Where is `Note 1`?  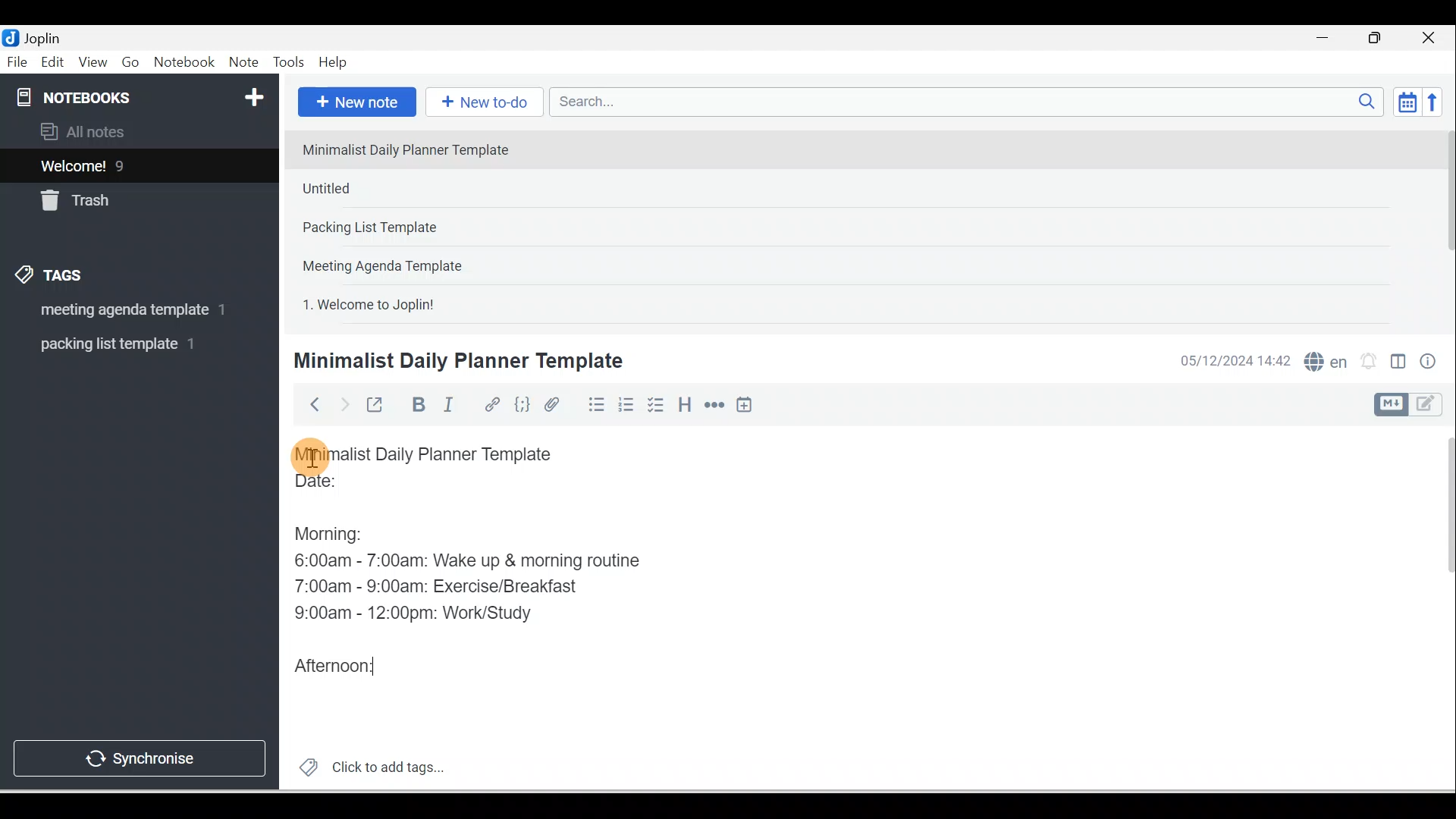
Note 1 is located at coordinates (416, 149).